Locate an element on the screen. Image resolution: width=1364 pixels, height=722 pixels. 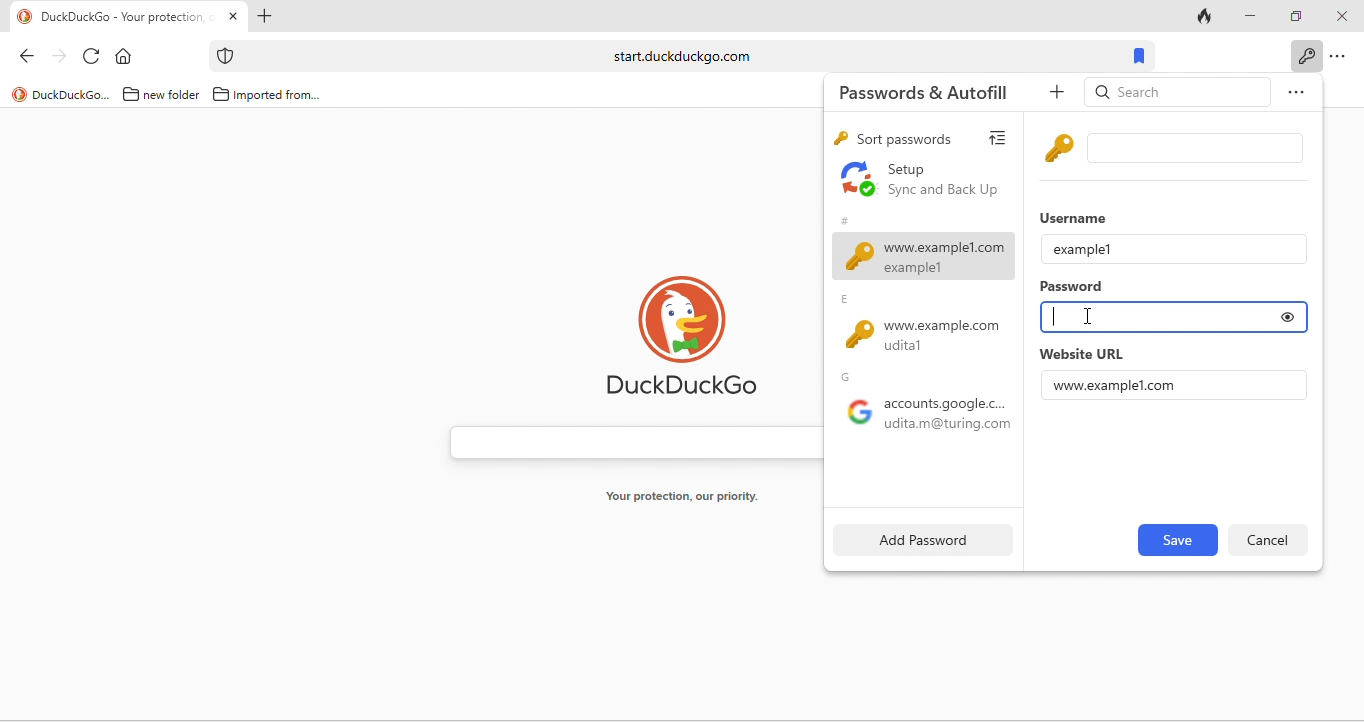
passwords and autofill is located at coordinates (936, 91).